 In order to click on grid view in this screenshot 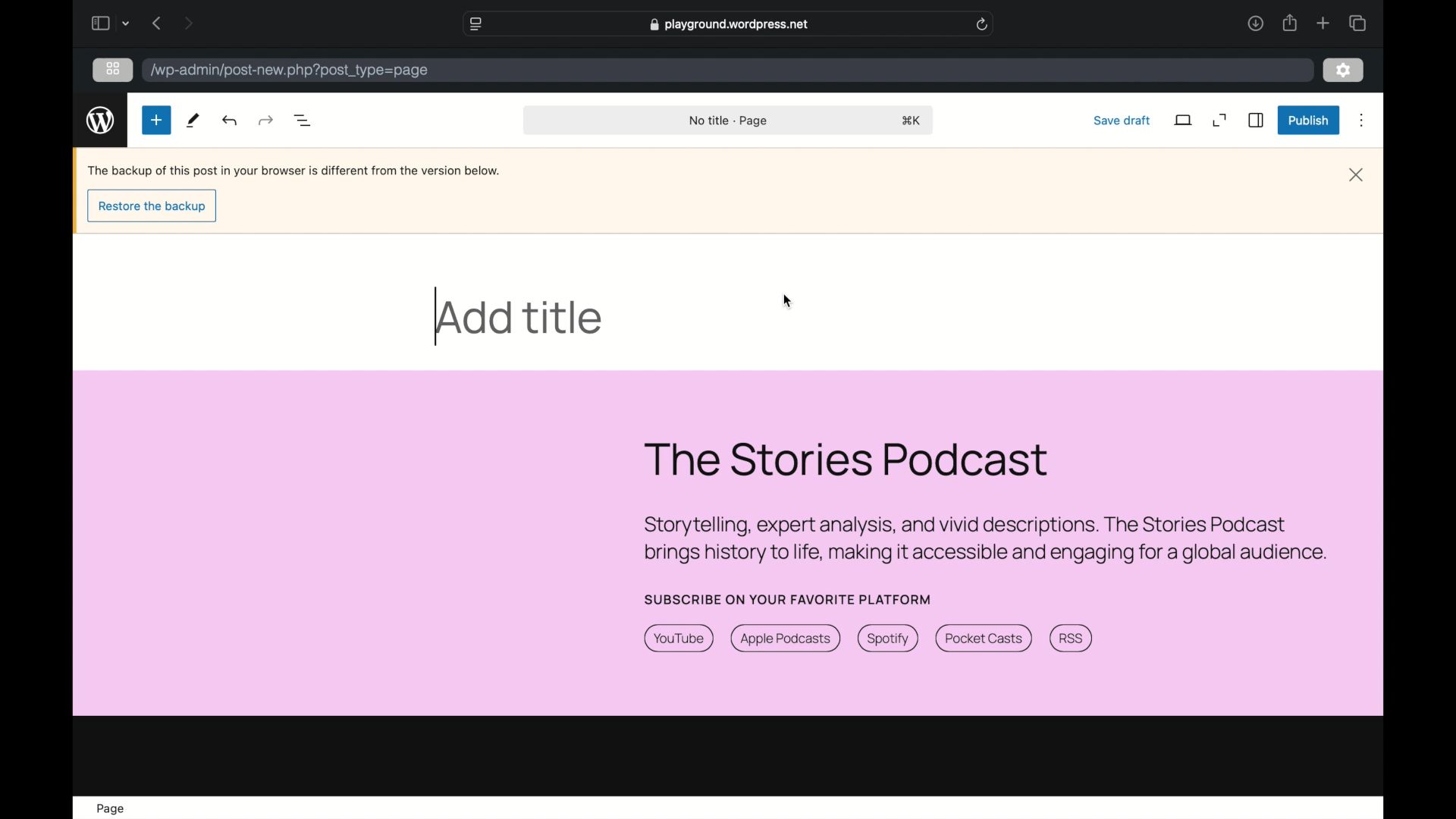, I will do `click(113, 69)`.